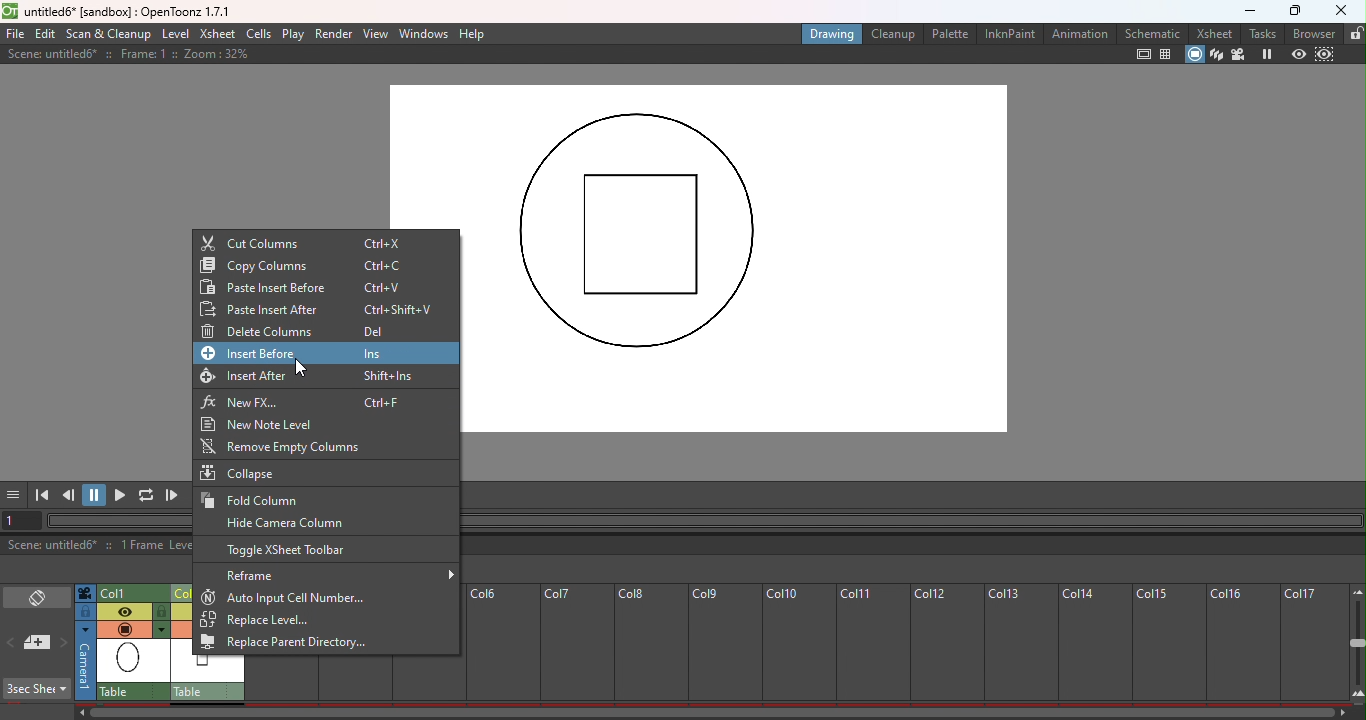 The height and width of the screenshot is (720, 1366). I want to click on New FX, so click(308, 402).